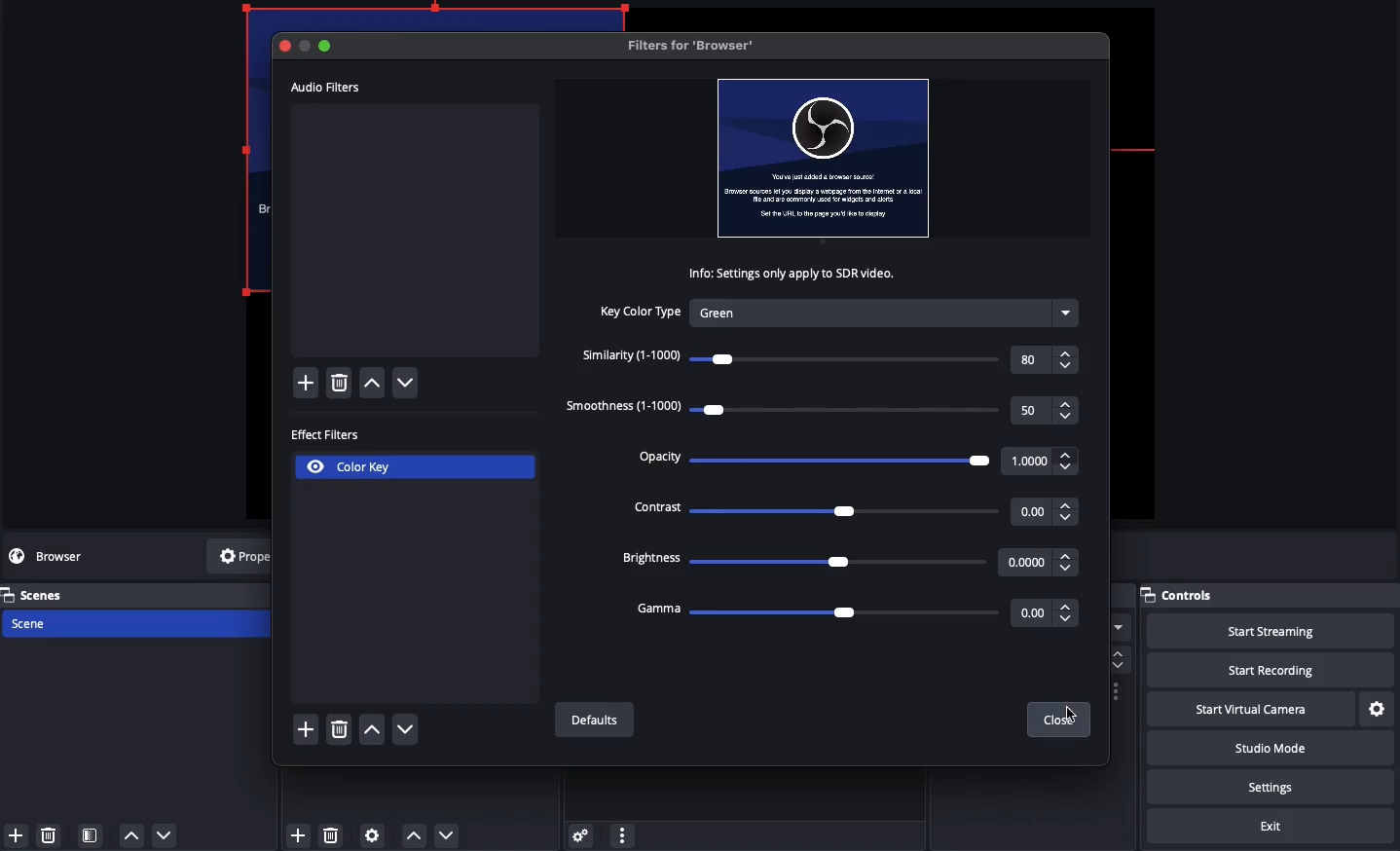  I want to click on Cutton, so click(305, 44).